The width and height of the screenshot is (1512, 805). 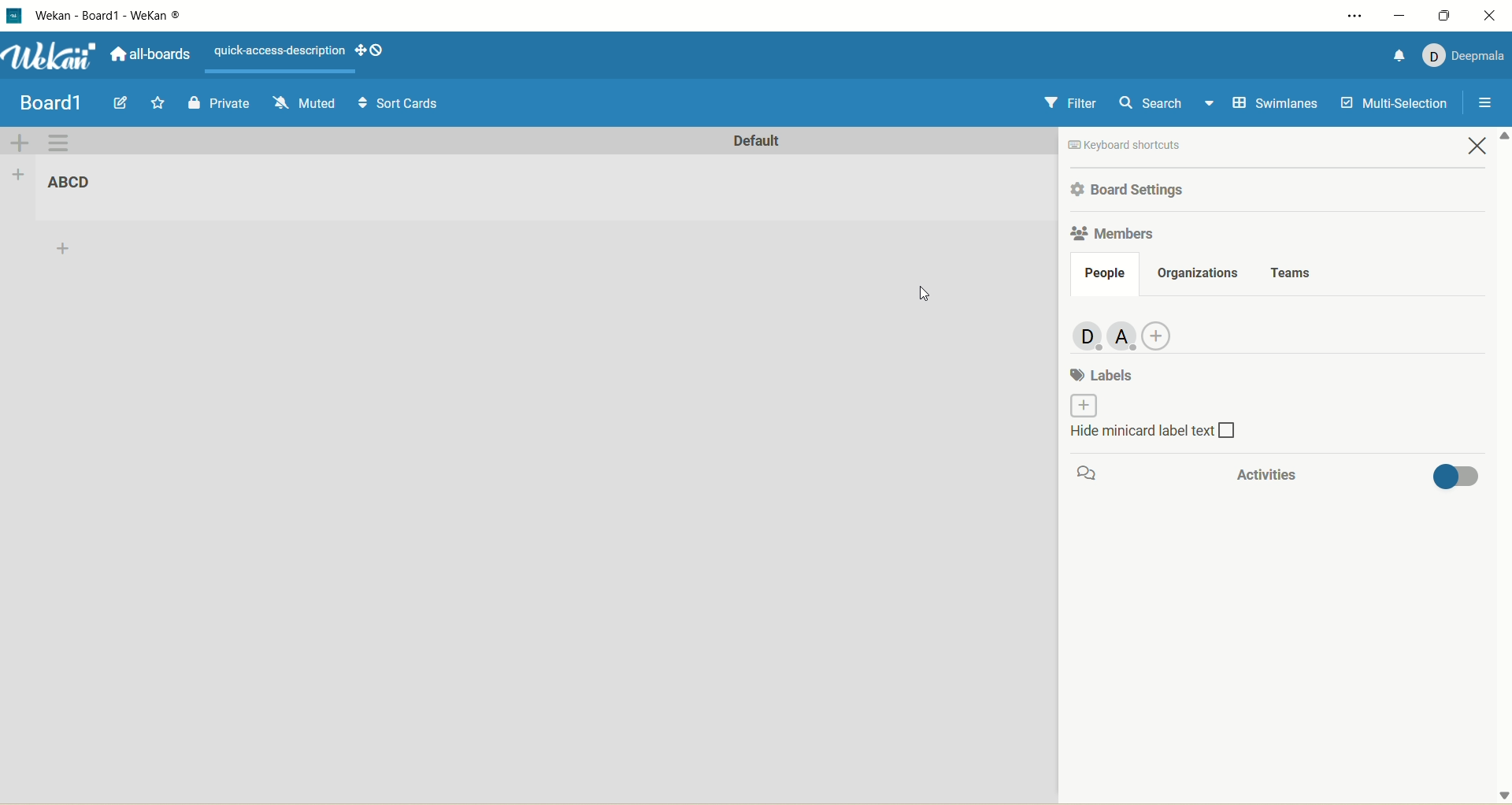 What do you see at coordinates (150, 54) in the screenshot?
I see `all boards` at bounding box center [150, 54].